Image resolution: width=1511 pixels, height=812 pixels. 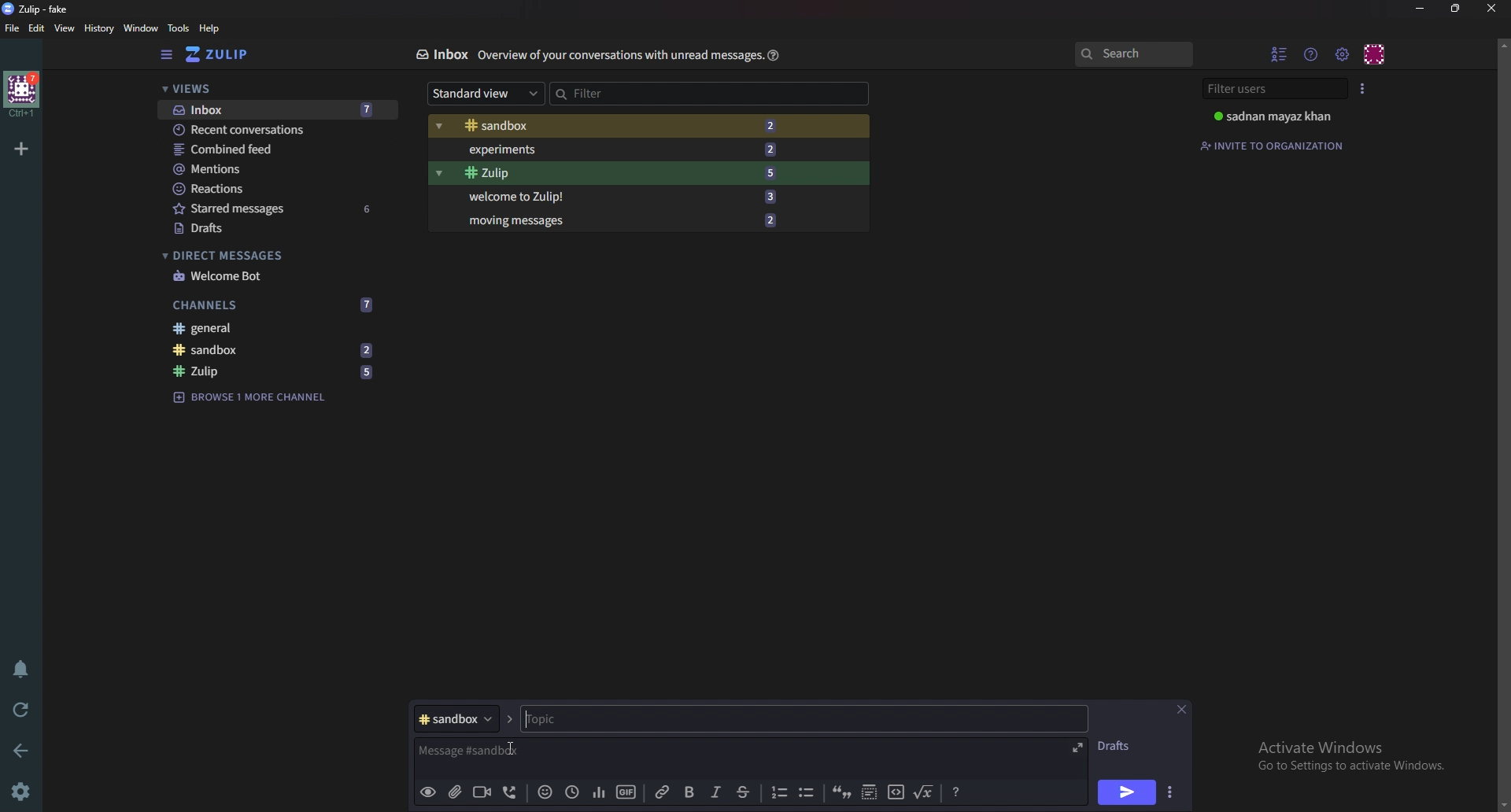 What do you see at coordinates (24, 666) in the screenshot?
I see `Enable do not disturb` at bounding box center [24, 666].